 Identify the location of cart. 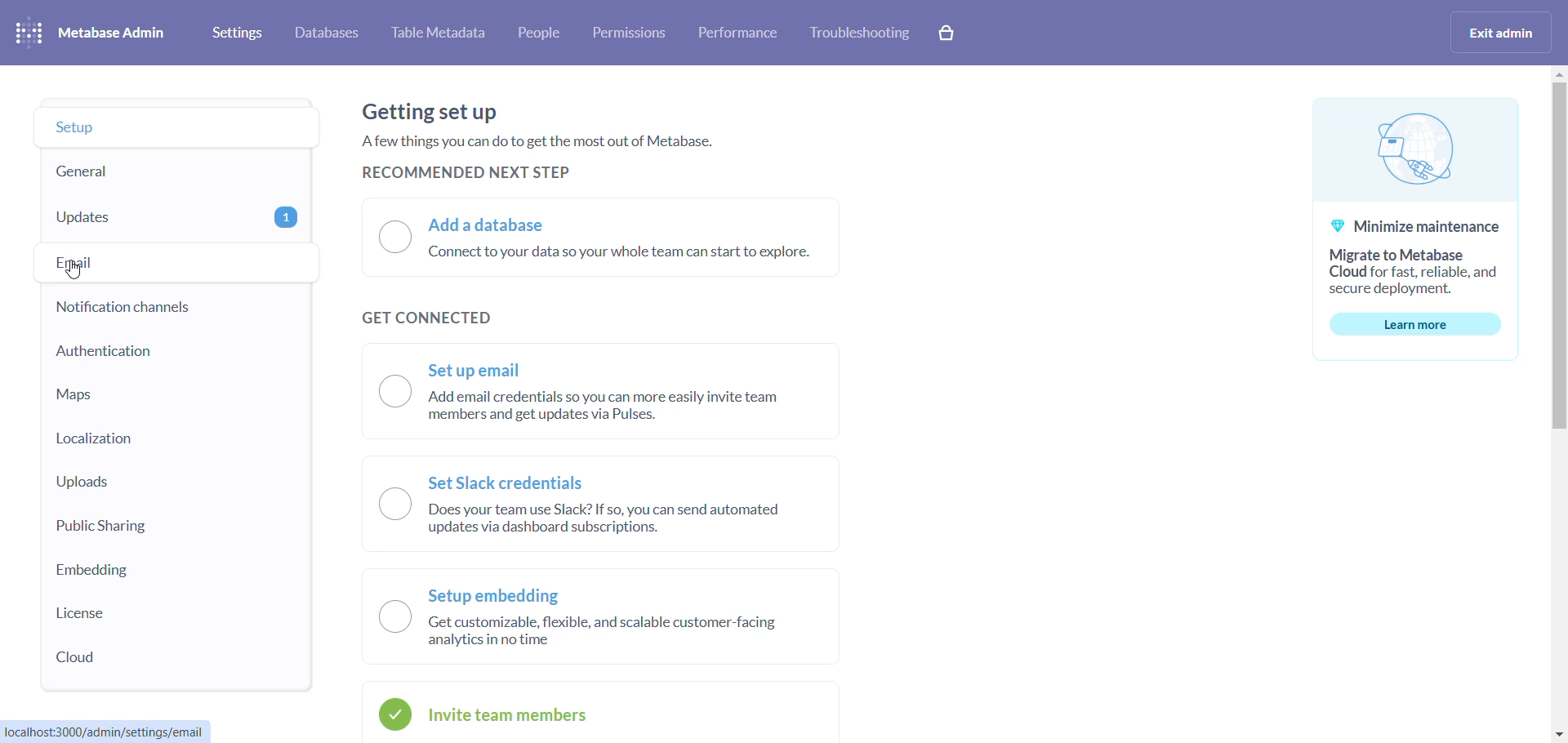
(954, 34).